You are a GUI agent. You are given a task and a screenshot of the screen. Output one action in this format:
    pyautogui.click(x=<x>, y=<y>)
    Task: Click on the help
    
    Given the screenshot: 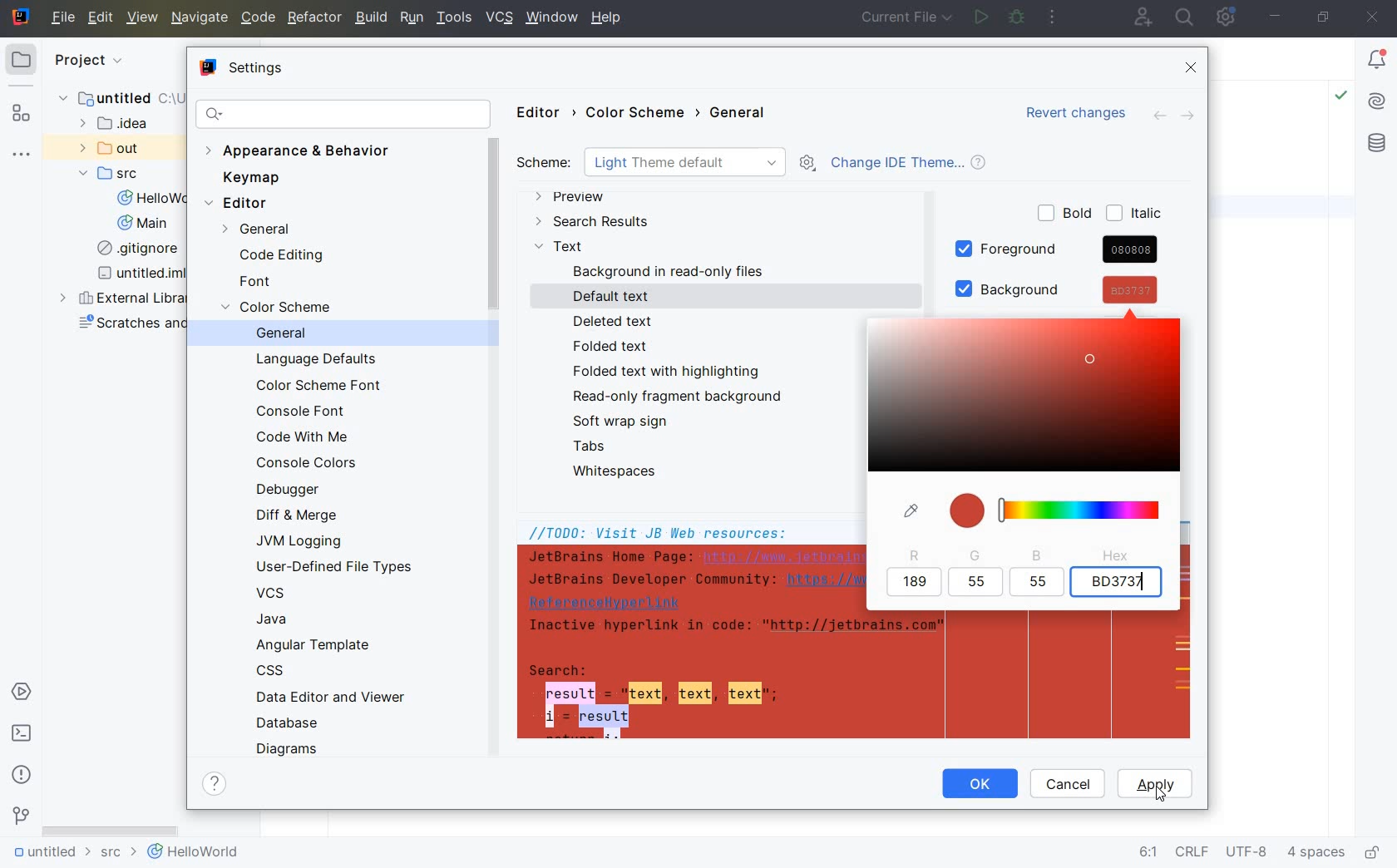 What is the action you would take?
    pyautogui.click(x=610, y=19)
    